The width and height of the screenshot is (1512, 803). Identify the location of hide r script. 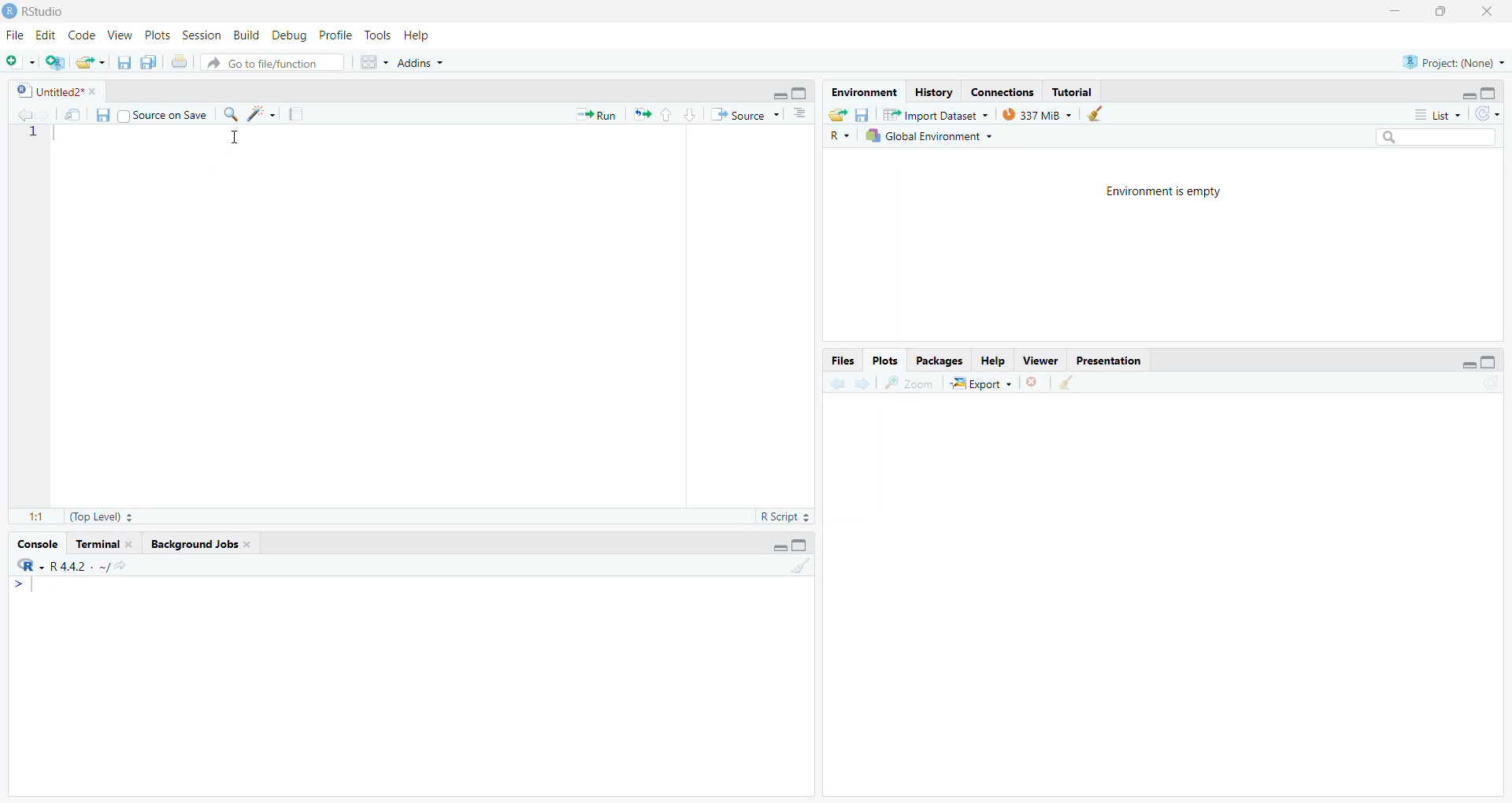
(1462, 364).